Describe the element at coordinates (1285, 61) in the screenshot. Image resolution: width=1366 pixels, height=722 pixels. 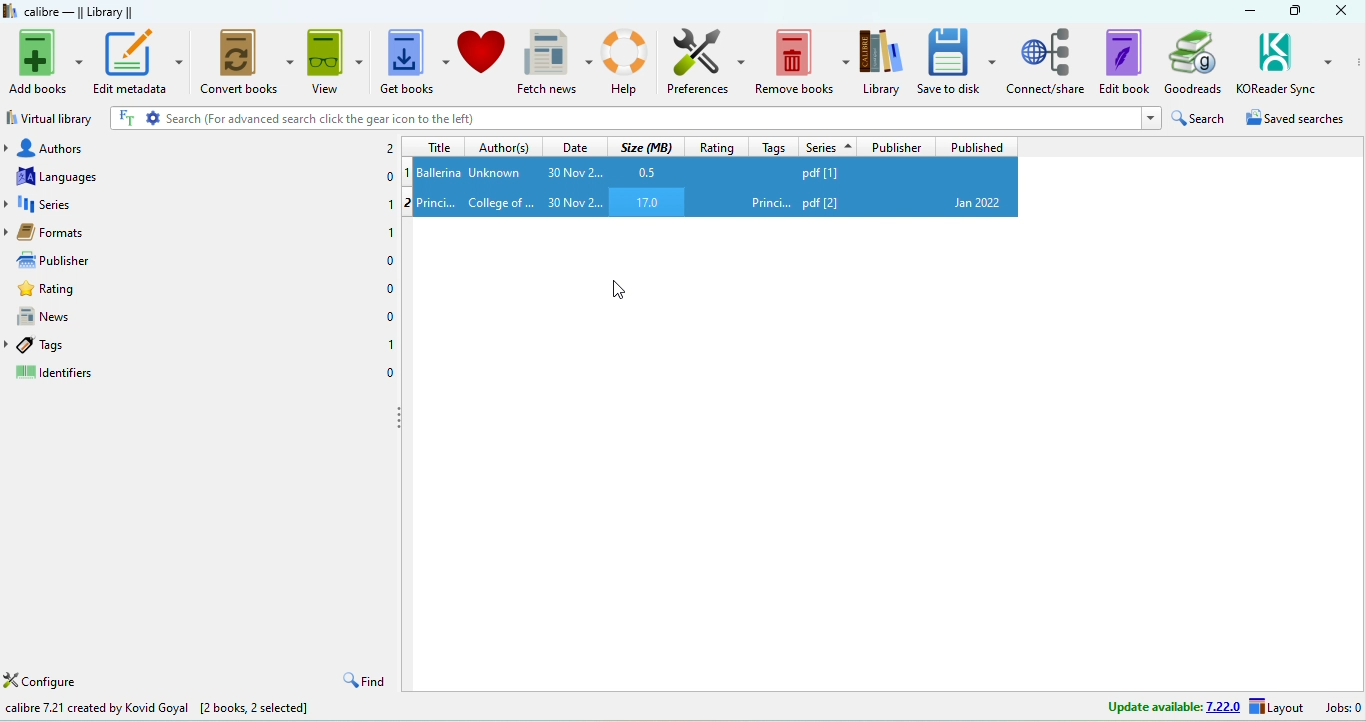
I see `KOReader Sync` at that location.